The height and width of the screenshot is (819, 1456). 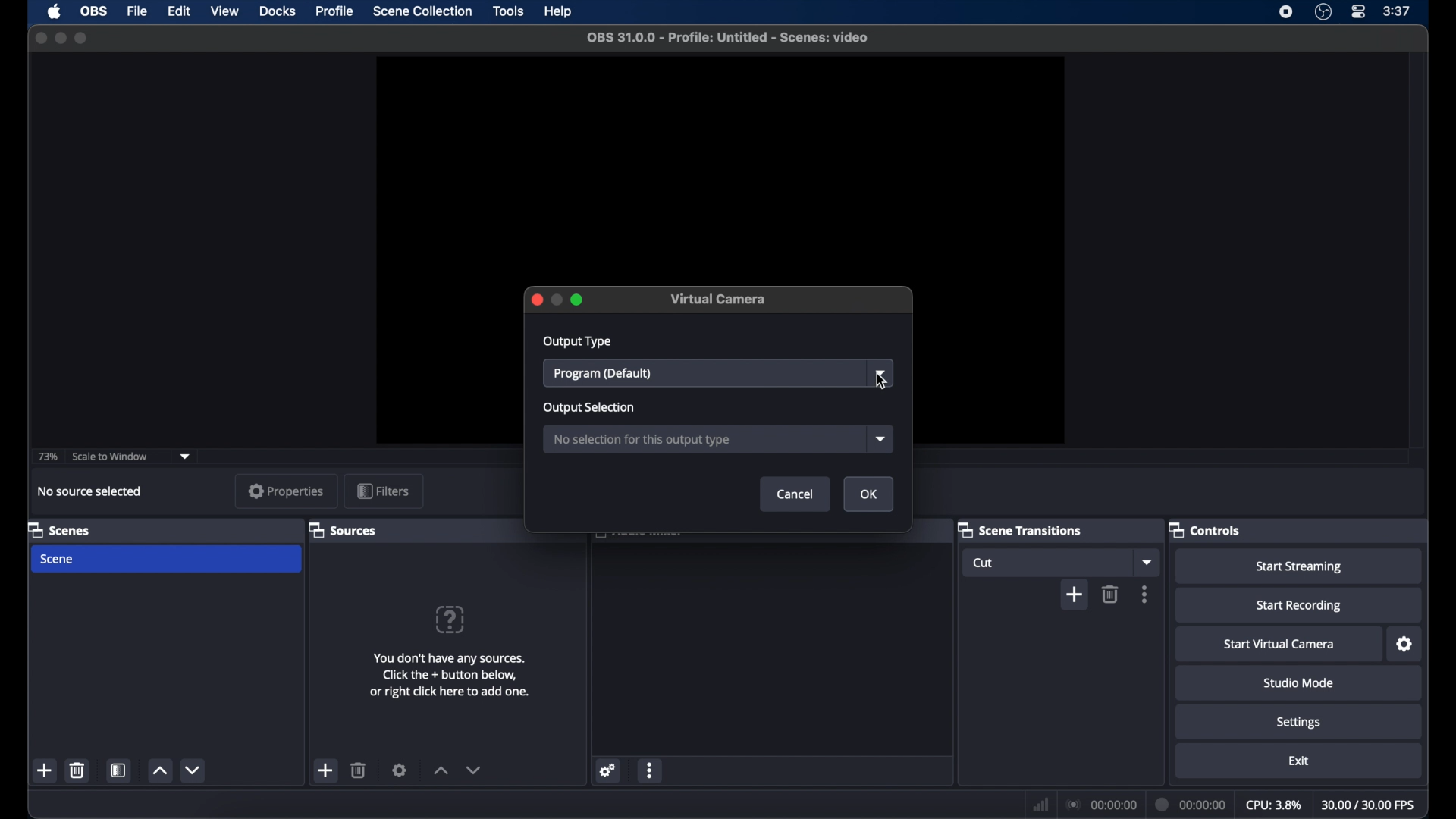 I want to click on sources, so click(x=342, y=530).